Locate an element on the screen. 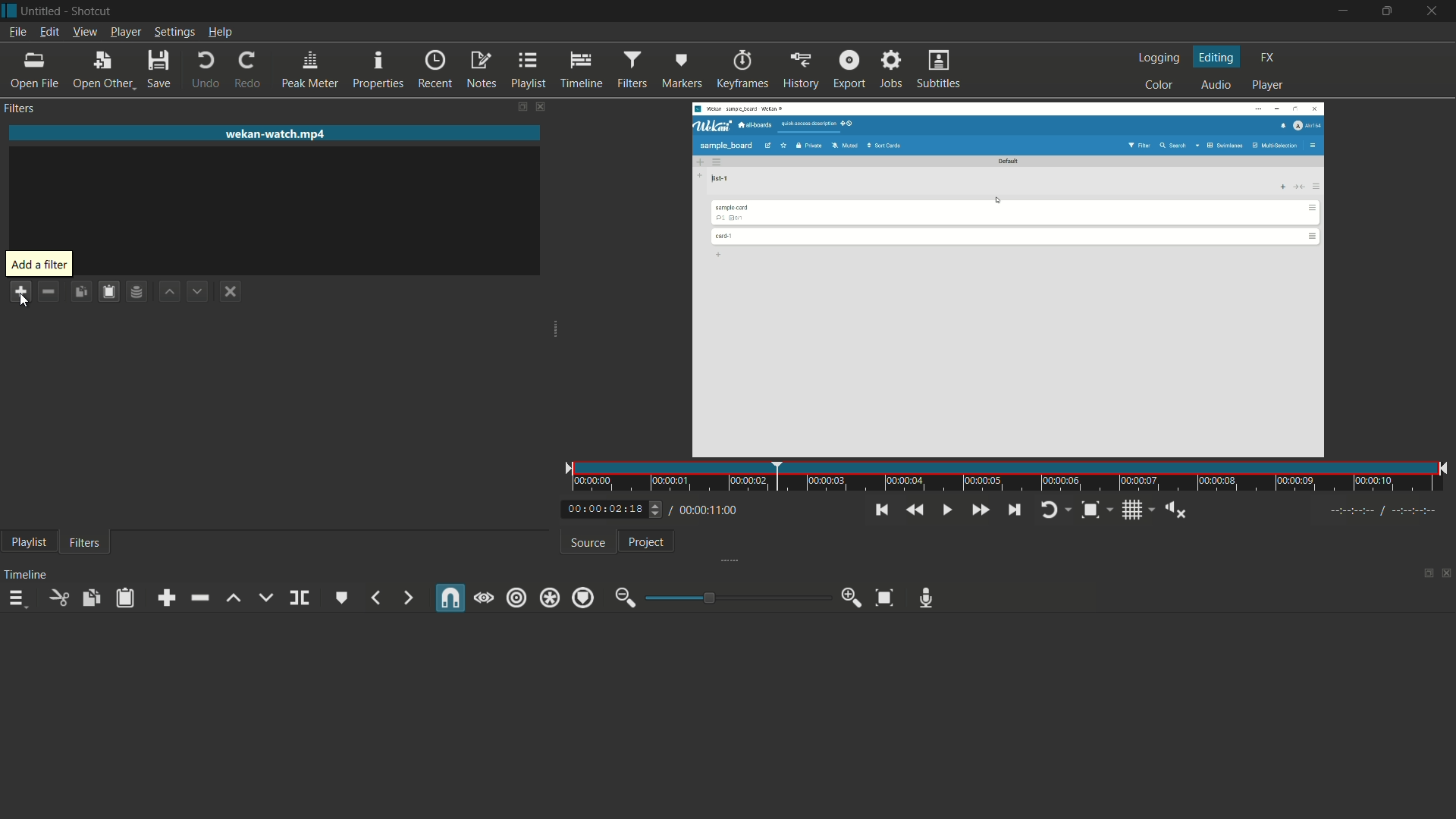  deselect the filter is located at coordinates (231, 292).